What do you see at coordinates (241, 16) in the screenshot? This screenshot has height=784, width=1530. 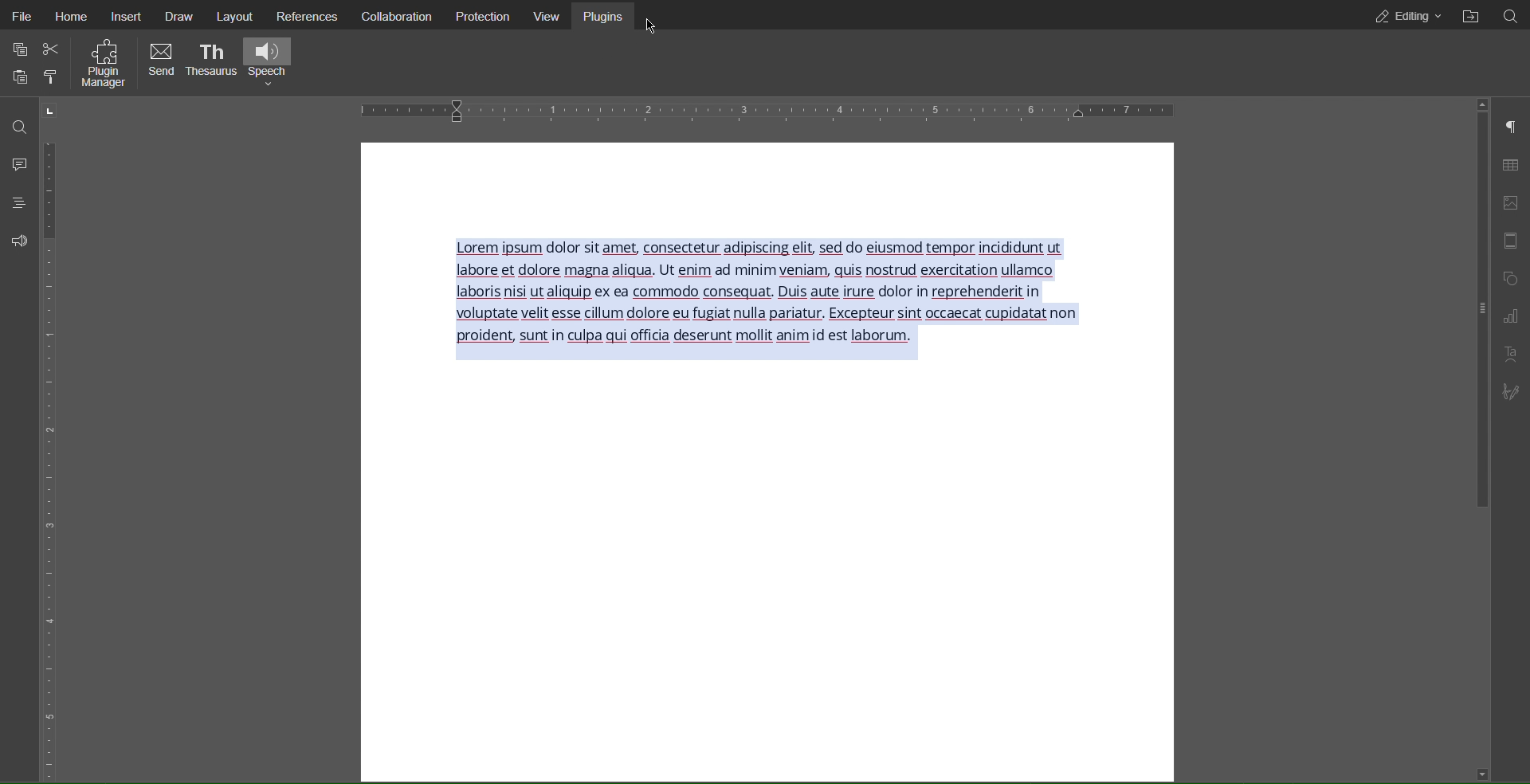 I see `Layout` at bounding box center [241, 16].